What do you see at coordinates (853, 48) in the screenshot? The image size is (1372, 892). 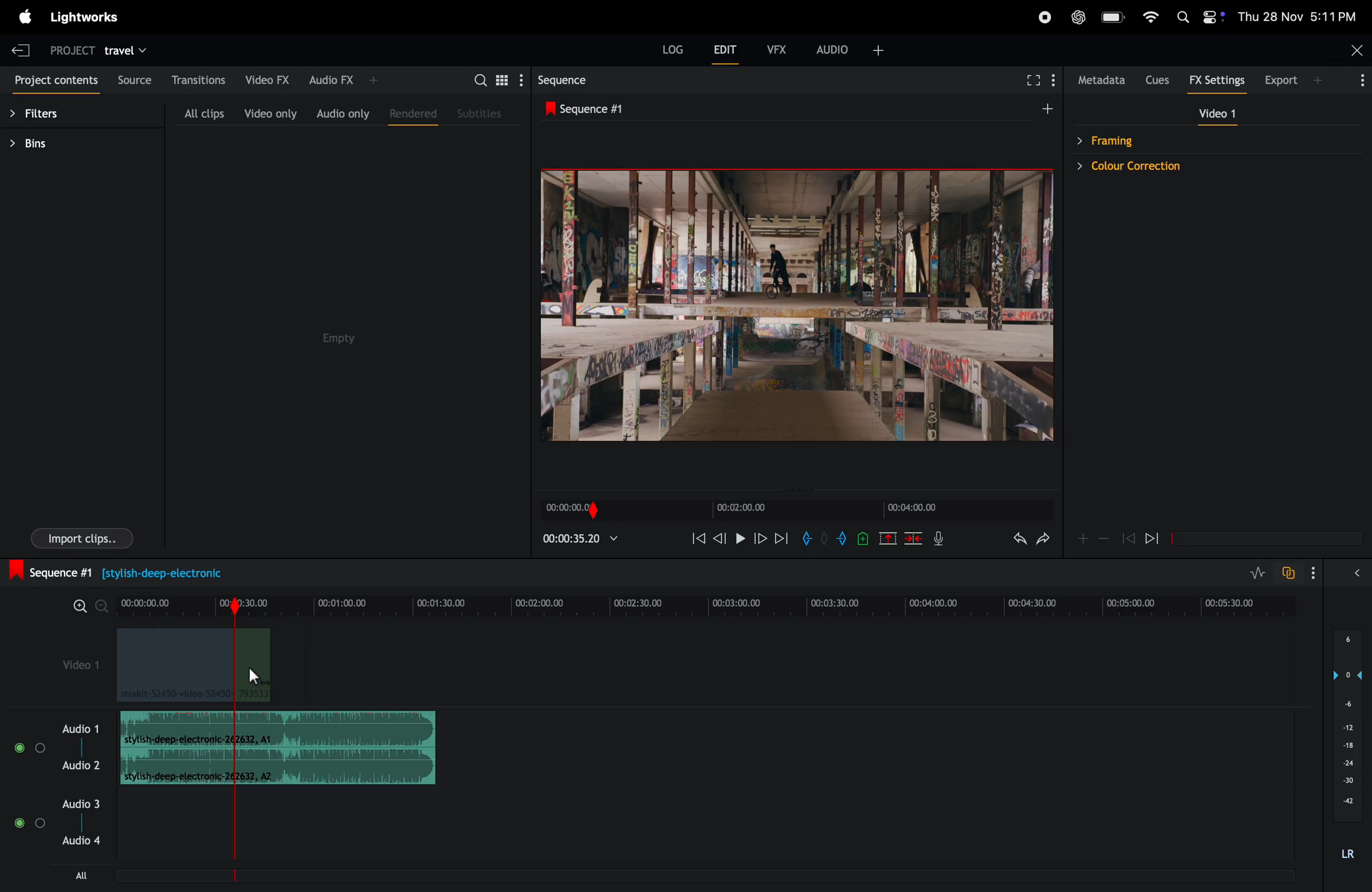 I see `audio ` at bounding box center [853, 48].